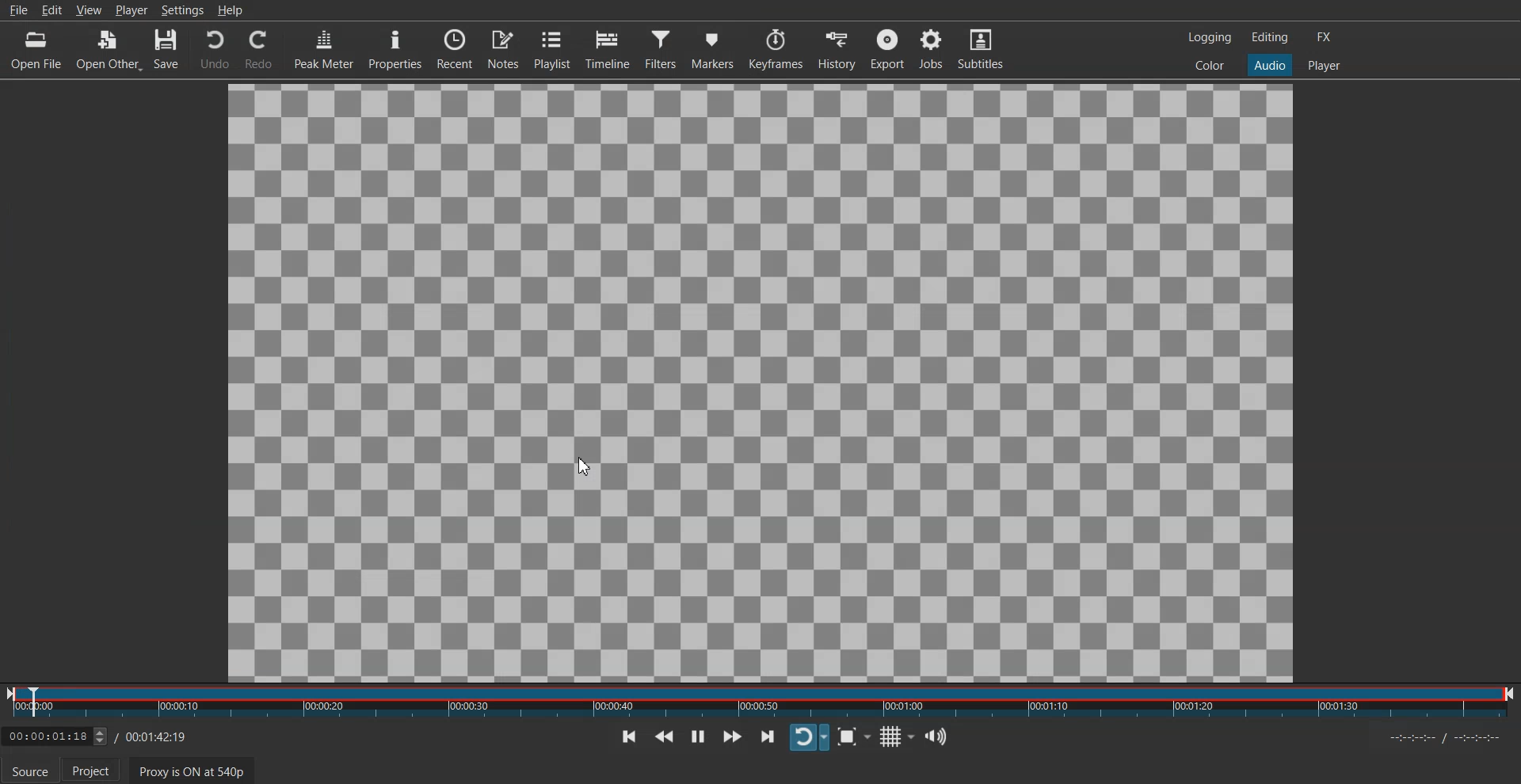 The width and height of the screenshot is (1521, 784). Describe the element at coordinates (259, 49) in the screenshot. I see `Redo` at that location.